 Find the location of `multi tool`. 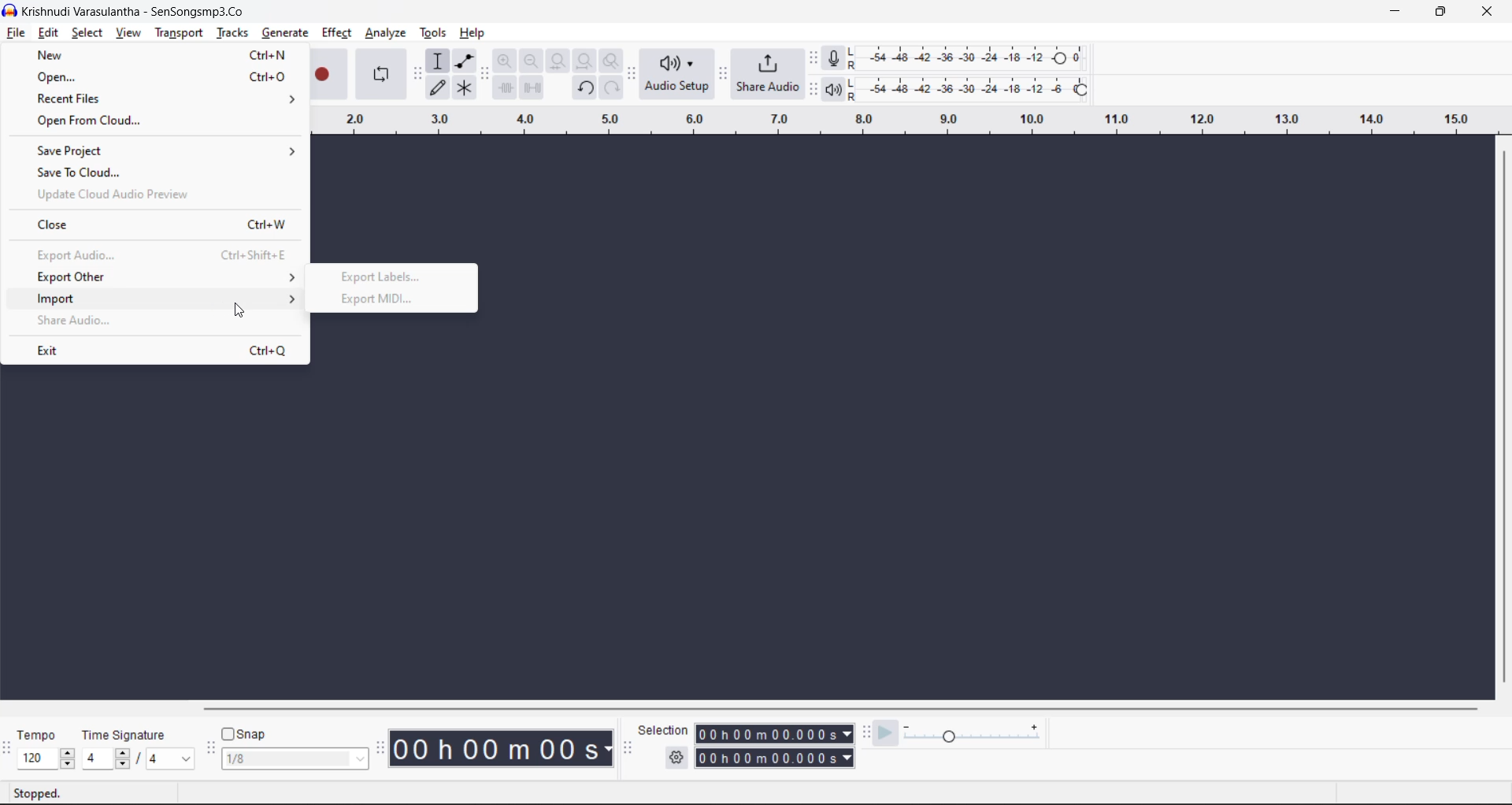

multi tool is located at coordinates (466, 88).